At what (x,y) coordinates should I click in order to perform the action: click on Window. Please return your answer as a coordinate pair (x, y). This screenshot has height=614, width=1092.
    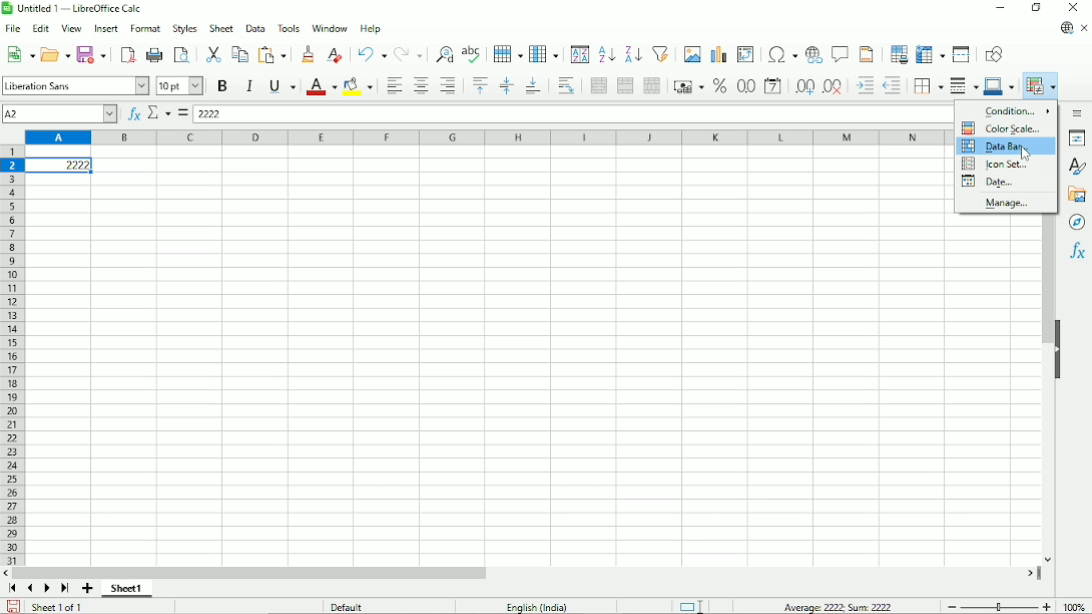
    Looking at the image, I should click on (330, 28).